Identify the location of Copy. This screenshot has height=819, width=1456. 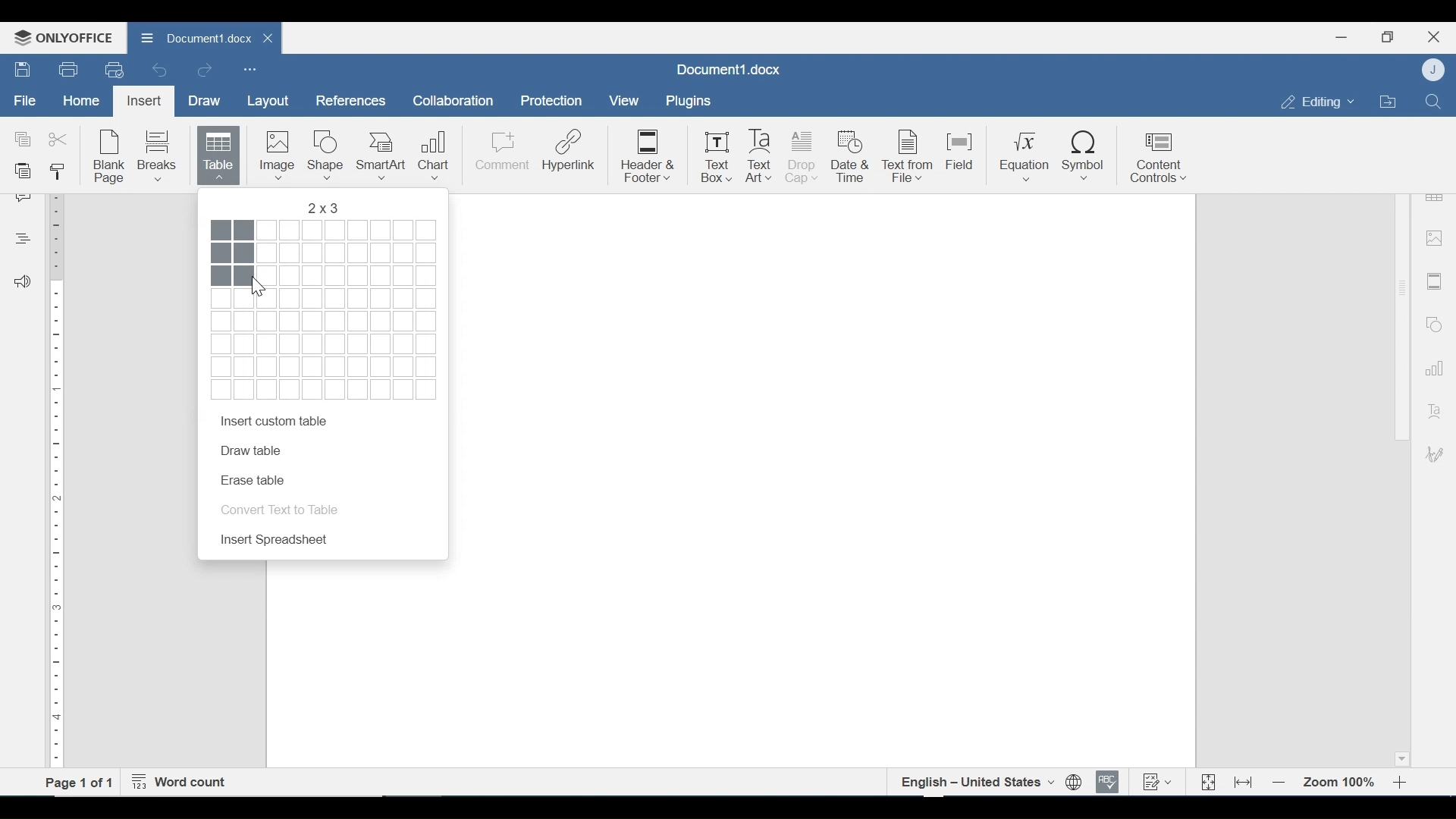
(24, 140).